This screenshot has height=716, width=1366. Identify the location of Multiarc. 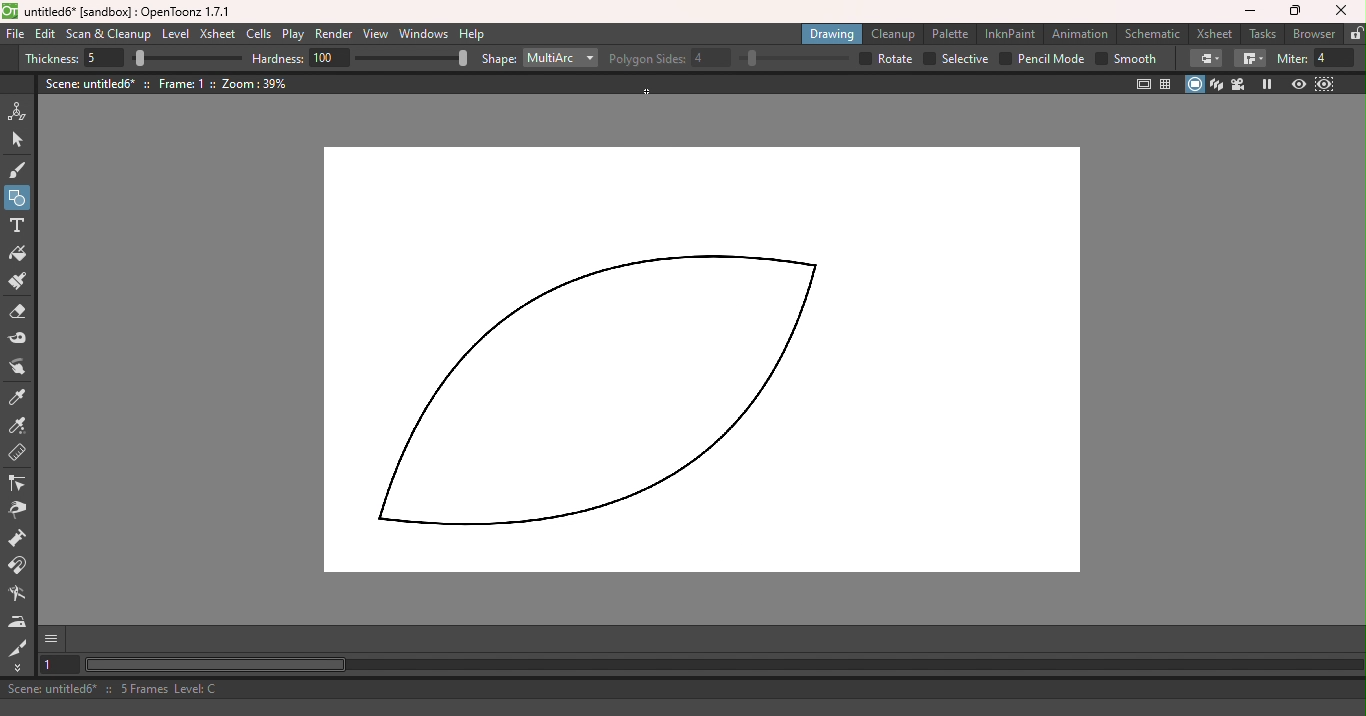
(561, 59).